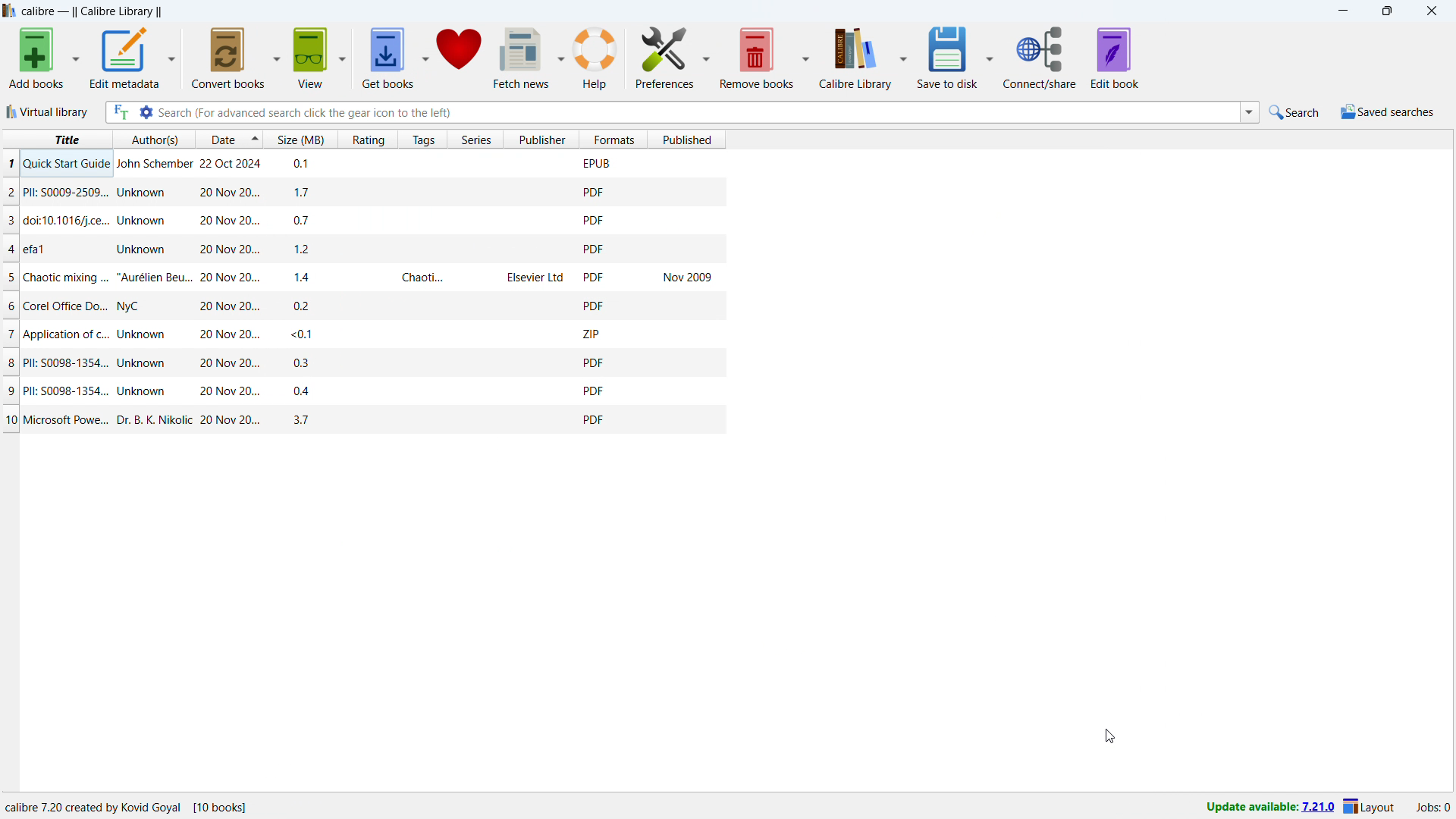 The image size is (1456, 819). I want to click on calibre library options, so click(903, 55).